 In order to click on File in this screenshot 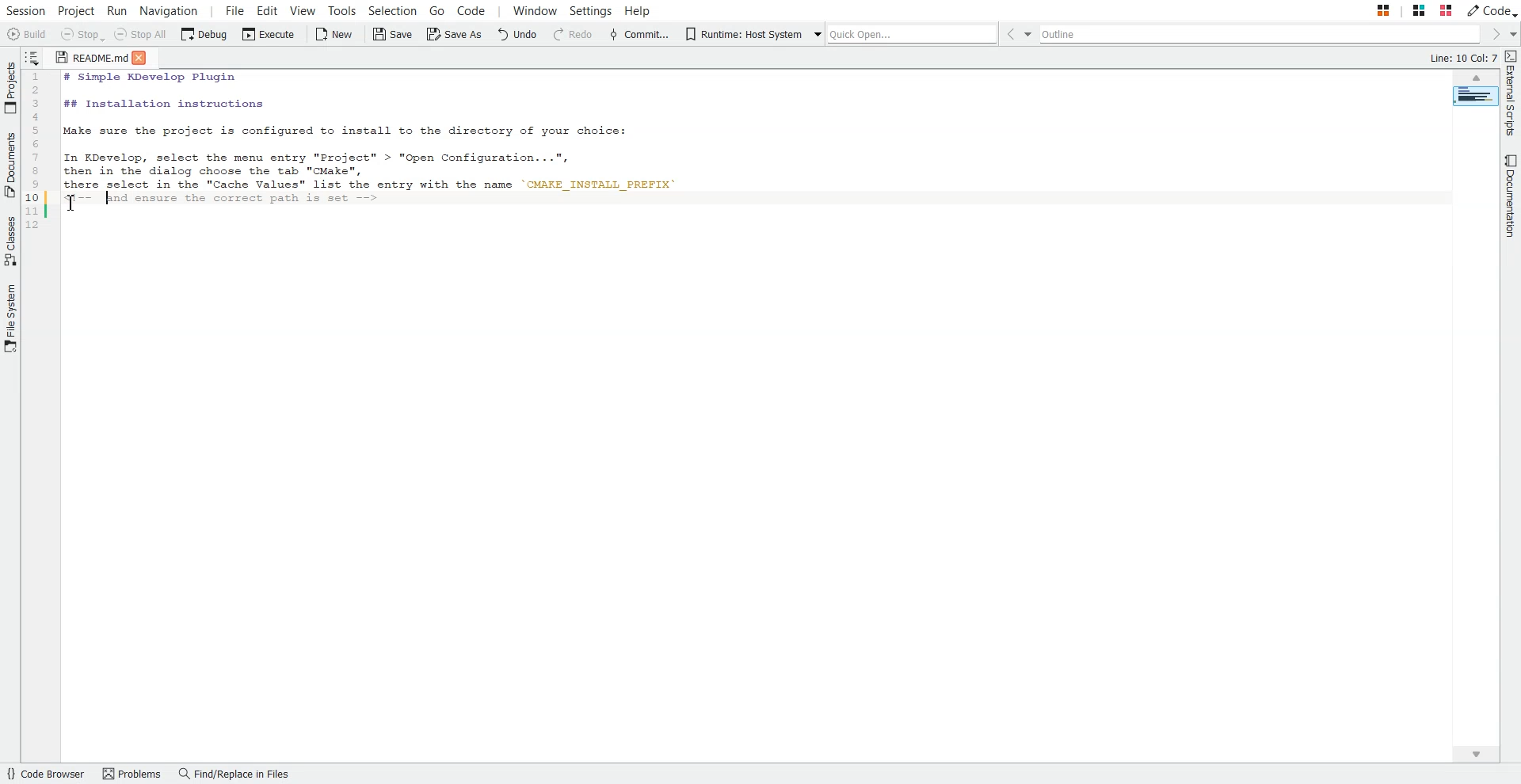, I will do `click(235, 10)`.